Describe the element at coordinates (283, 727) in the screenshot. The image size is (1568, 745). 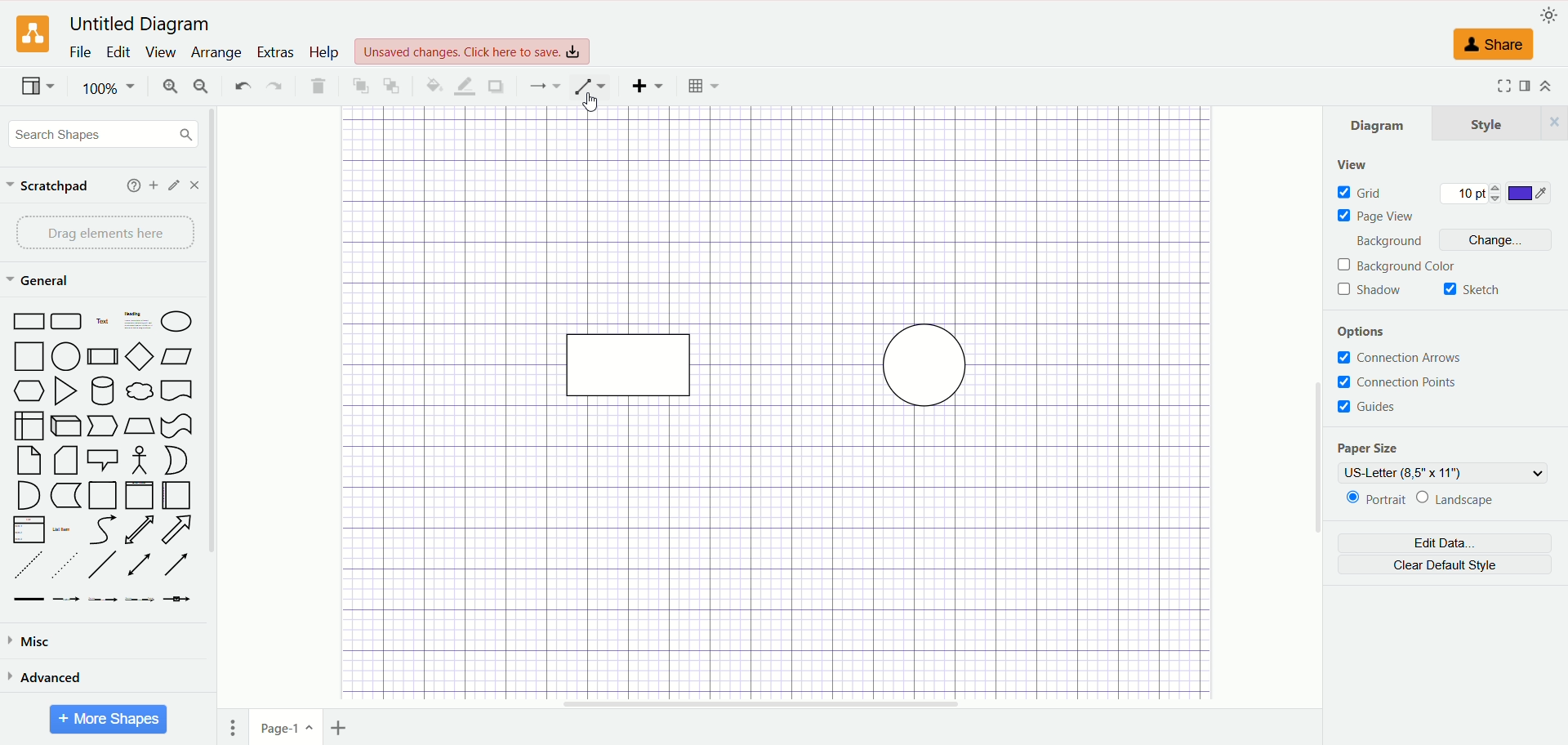
I see `page1` at that location.